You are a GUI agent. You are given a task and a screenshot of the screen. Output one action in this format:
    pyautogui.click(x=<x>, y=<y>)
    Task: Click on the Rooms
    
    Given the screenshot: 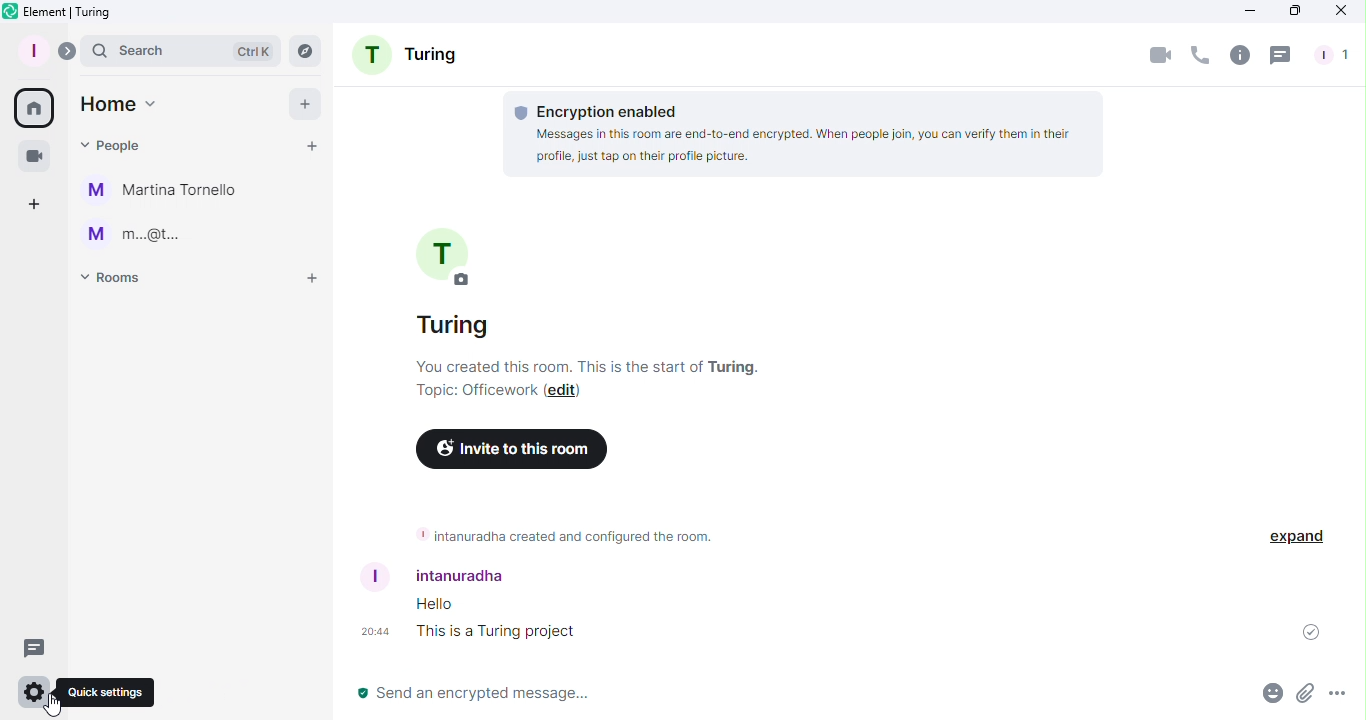 What is the action you would take?
    pyautogui.click(x=120, y=283)
    